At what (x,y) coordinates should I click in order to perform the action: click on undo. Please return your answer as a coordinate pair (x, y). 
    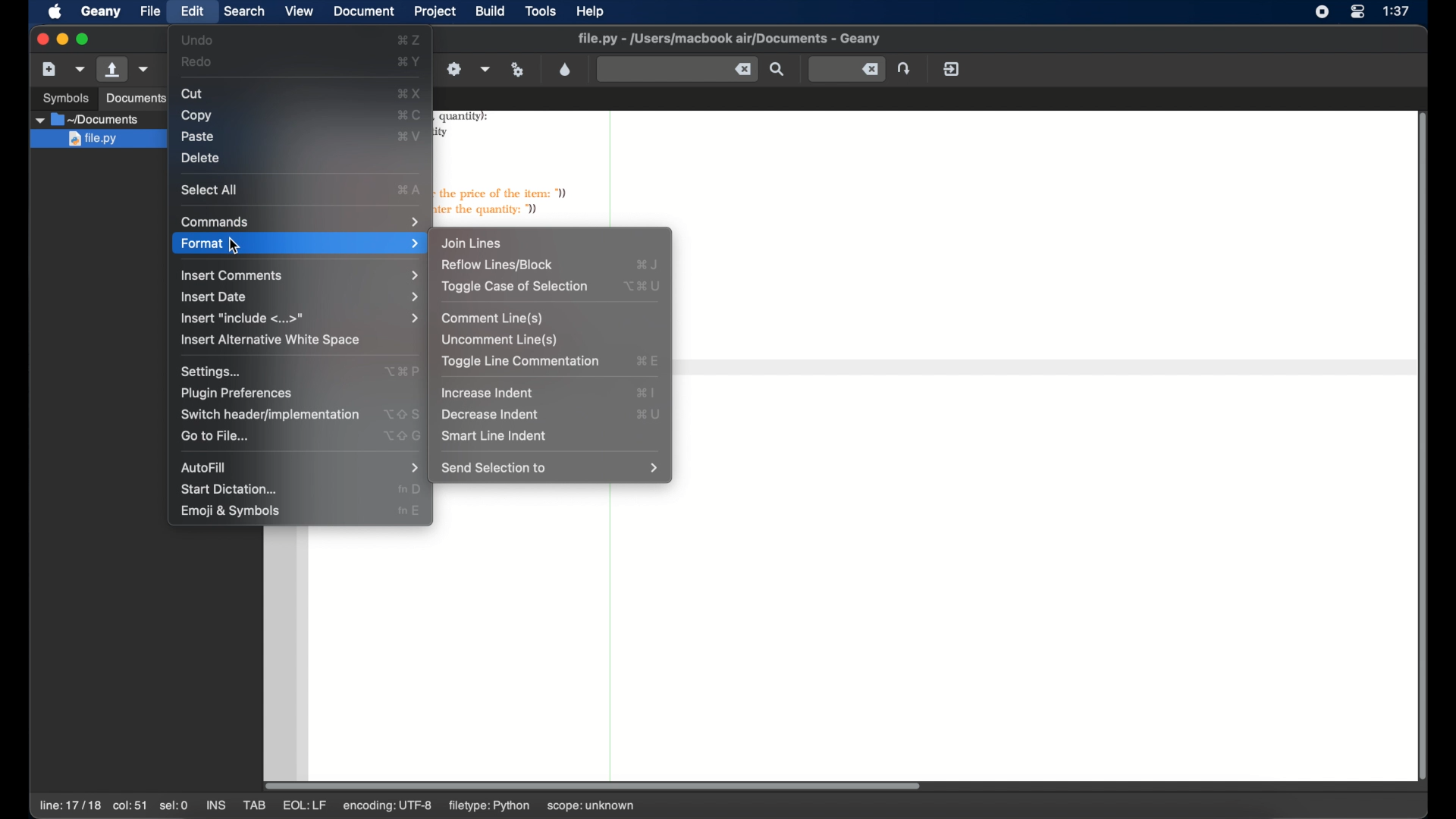
    Looking at the image, I should click on (197, 40).